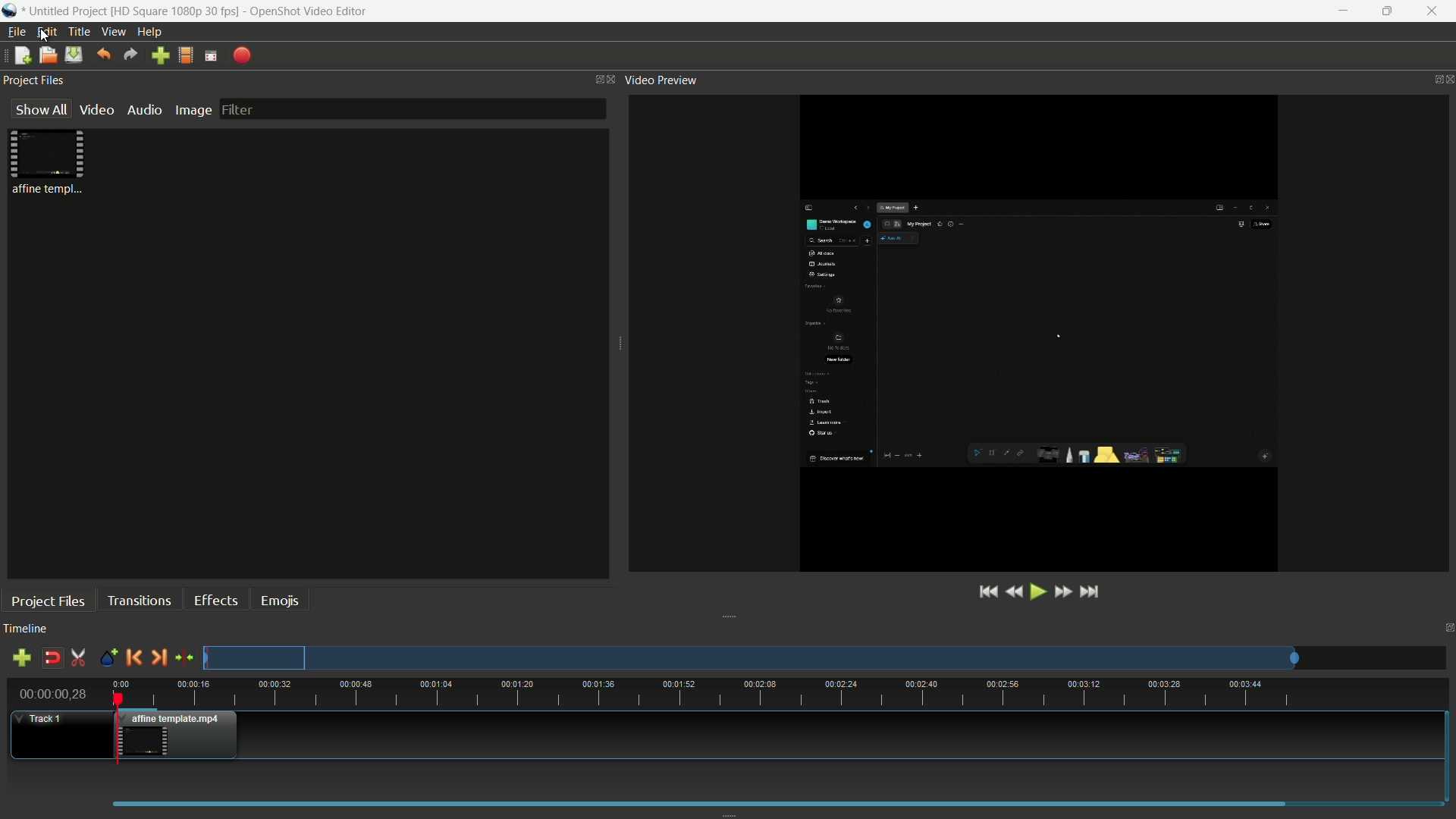 This screenshot has height=819, width=1456. I want to click on effects, so click(218, 600).